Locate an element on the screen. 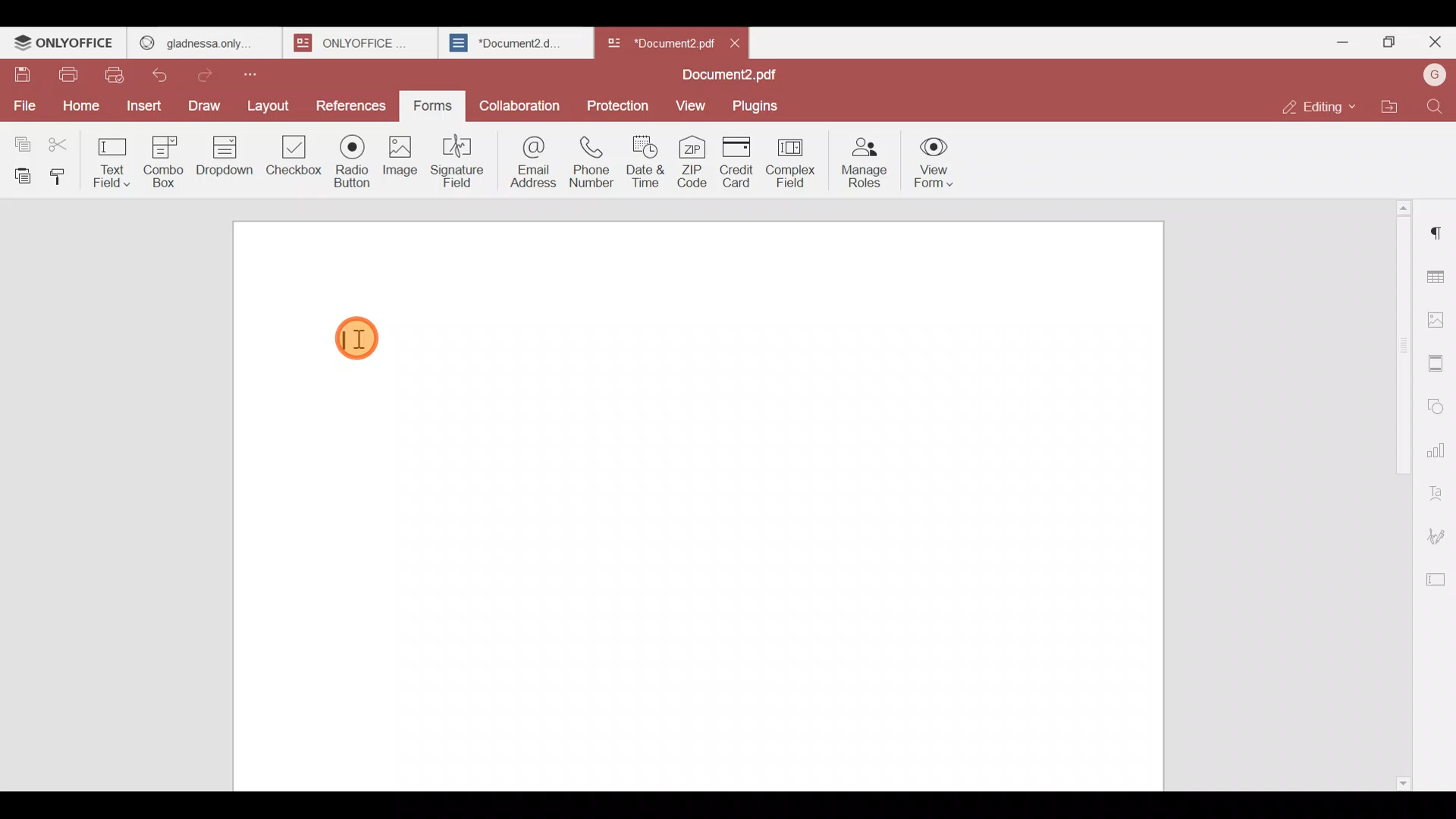 This screenshot has width=1456, height=819. Date & time is located at coordinates (645, 161).